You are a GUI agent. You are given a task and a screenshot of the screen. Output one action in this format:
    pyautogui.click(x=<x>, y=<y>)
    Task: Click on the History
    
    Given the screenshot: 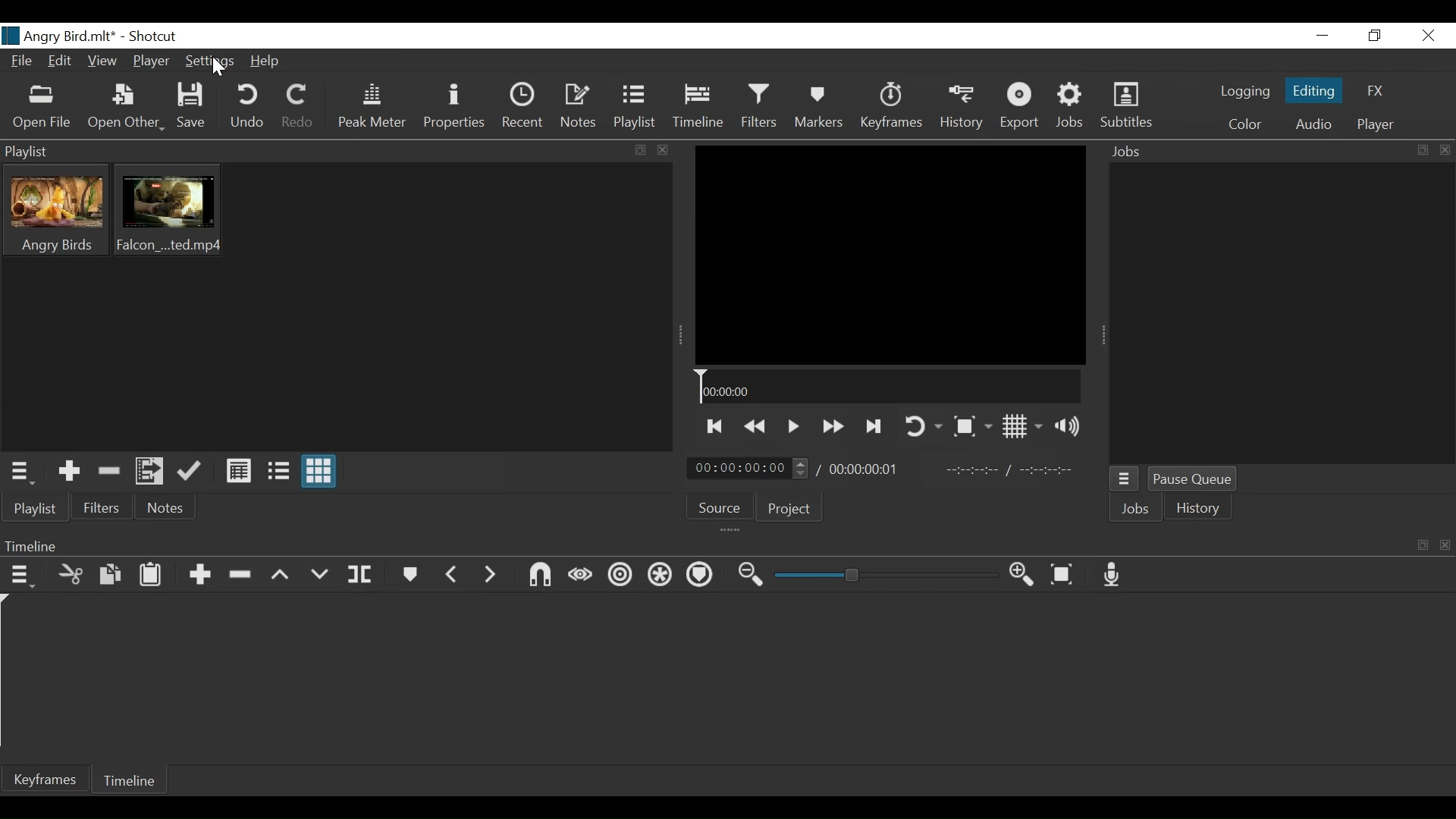 What is the action you would take?
    pyautogui.click(x=959, y=108)
    